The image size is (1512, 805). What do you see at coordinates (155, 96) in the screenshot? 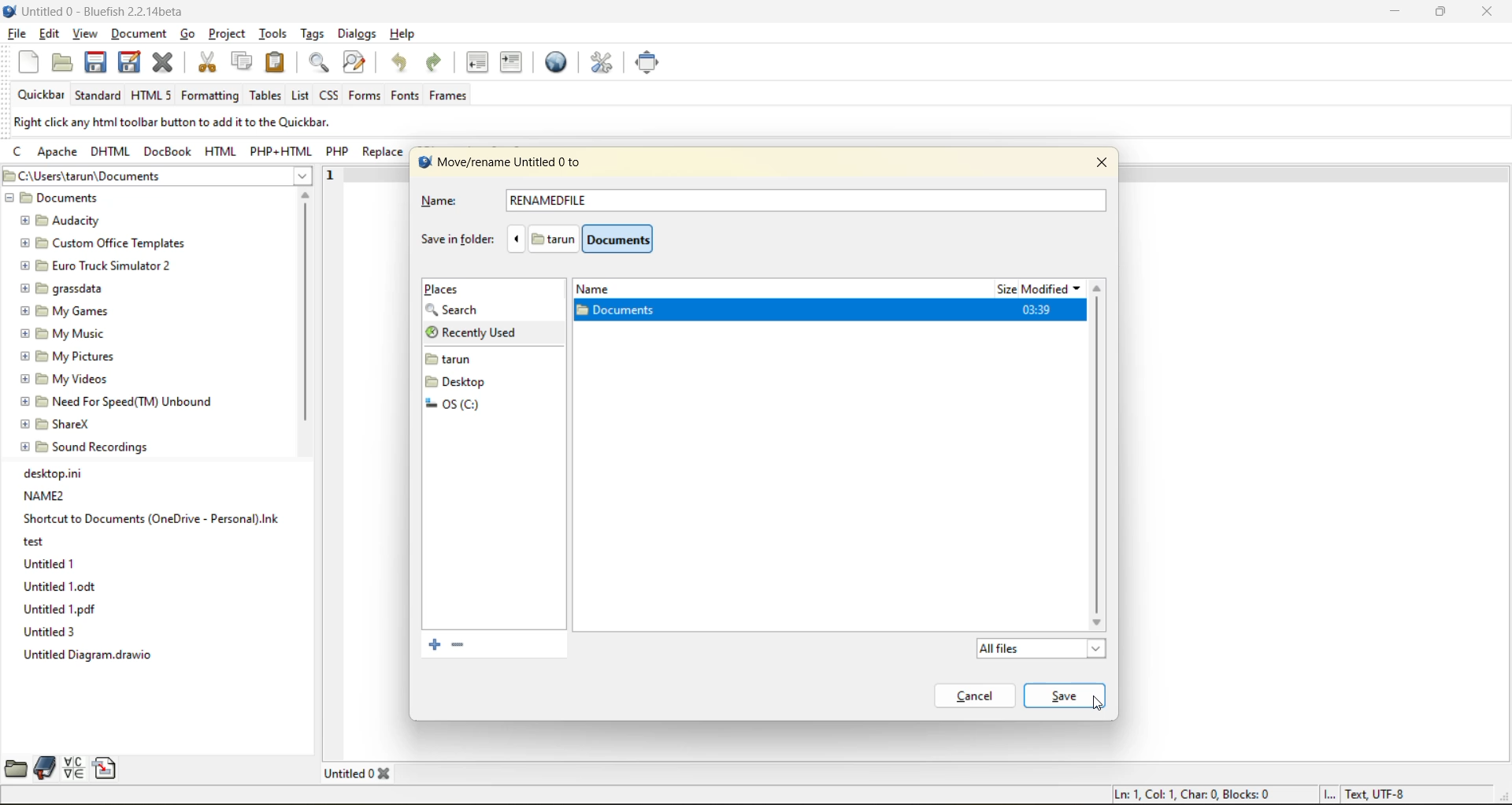
I see `html 5` at bounding box center [155, 96].